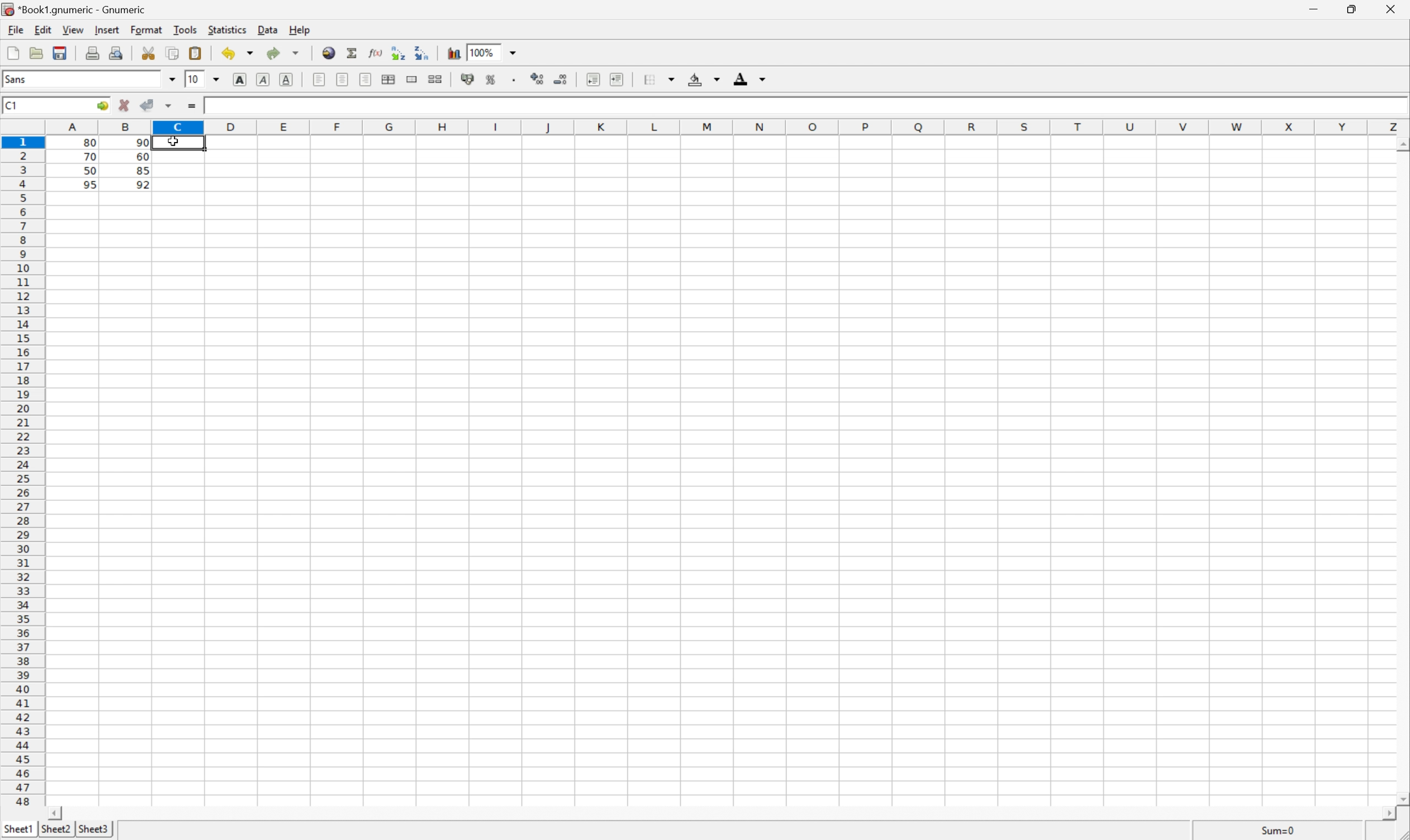 Image resolution: width=1410 pixels, height=840 pixels. What do you see at coordinates (125, 106) in the screenshot?
I see `Cancel changes` at bounding box center [125, 106].